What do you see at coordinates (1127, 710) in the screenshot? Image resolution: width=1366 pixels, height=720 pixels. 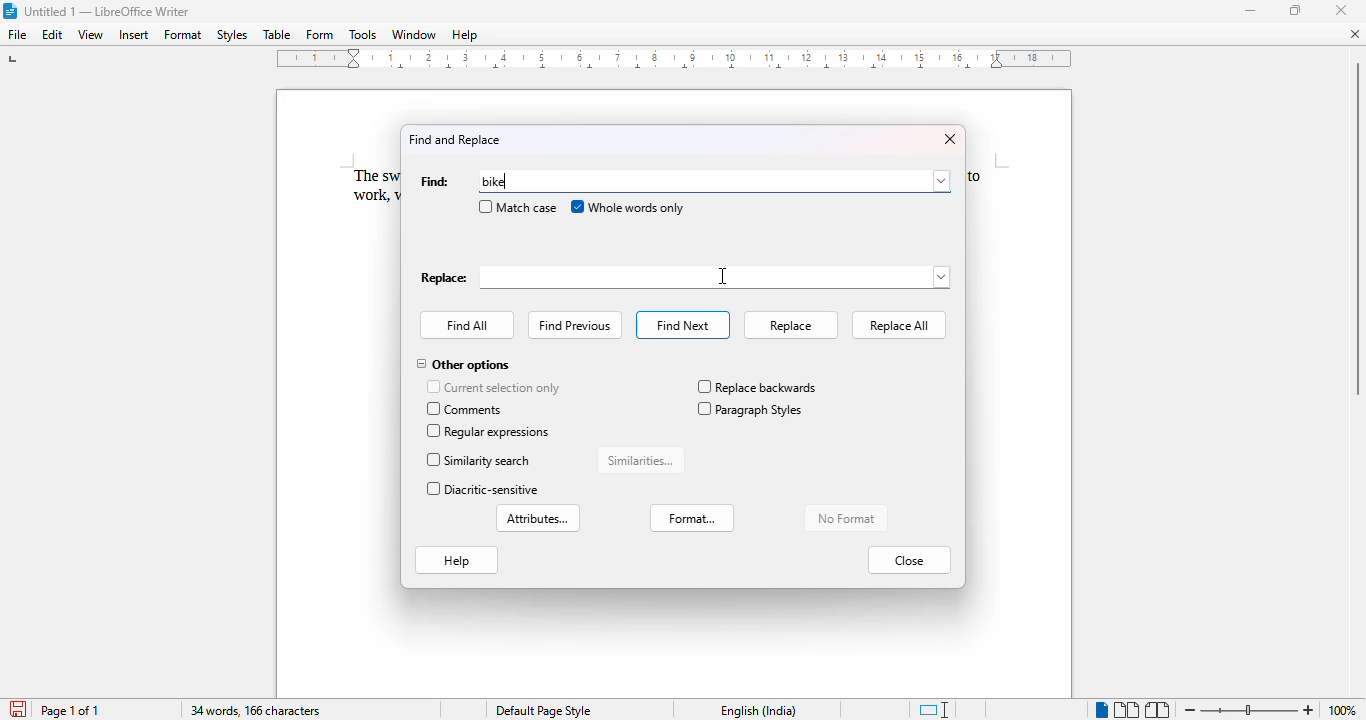 I see `multi-page view` at bounding box center [1127, 710].